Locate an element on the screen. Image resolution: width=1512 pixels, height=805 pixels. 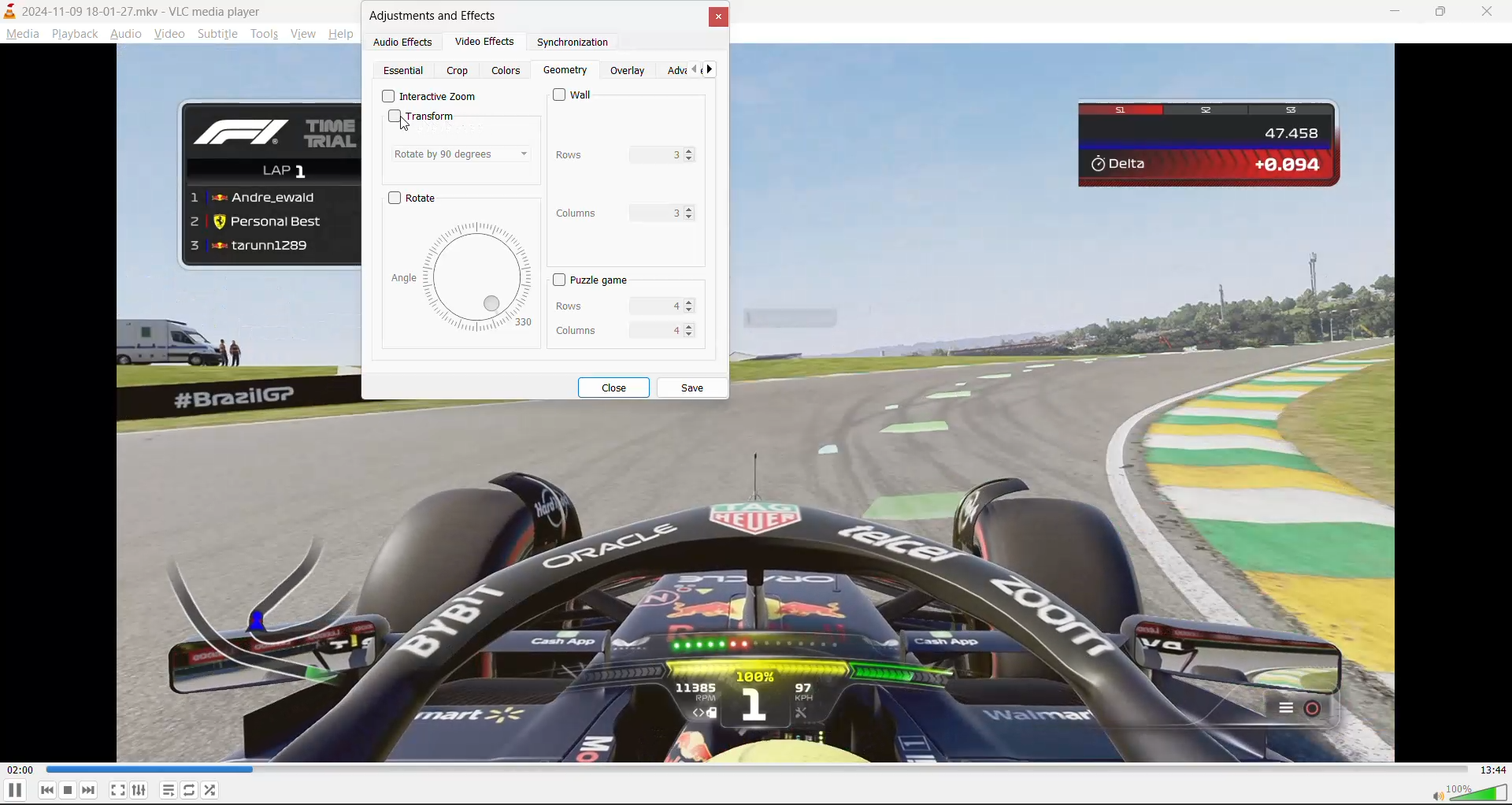
help is located at coordinates (340, 37).